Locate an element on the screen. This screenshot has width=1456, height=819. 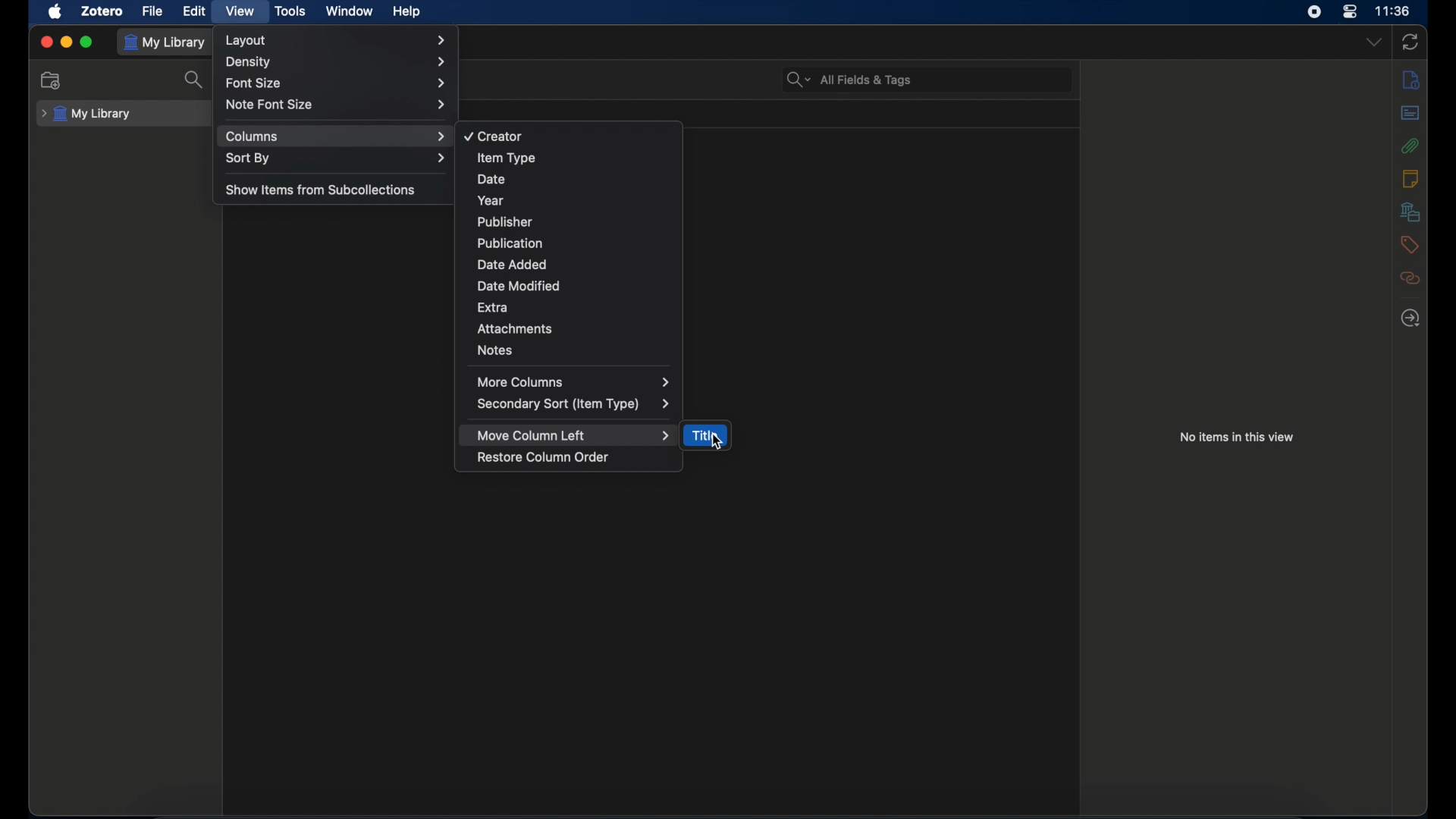
title is located at coordinates (704, 435).